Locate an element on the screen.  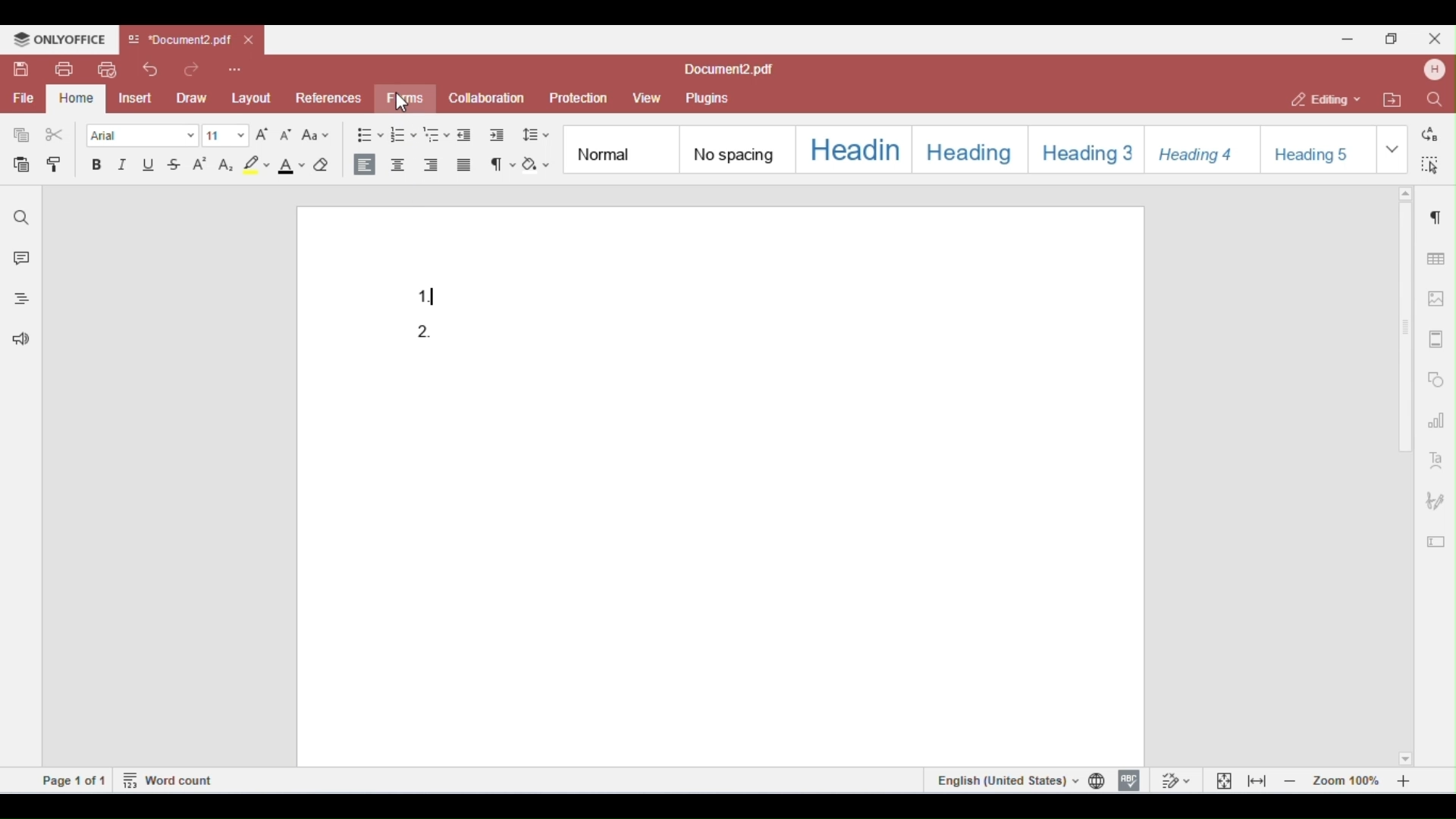
save is located at coordinates (23, 69).